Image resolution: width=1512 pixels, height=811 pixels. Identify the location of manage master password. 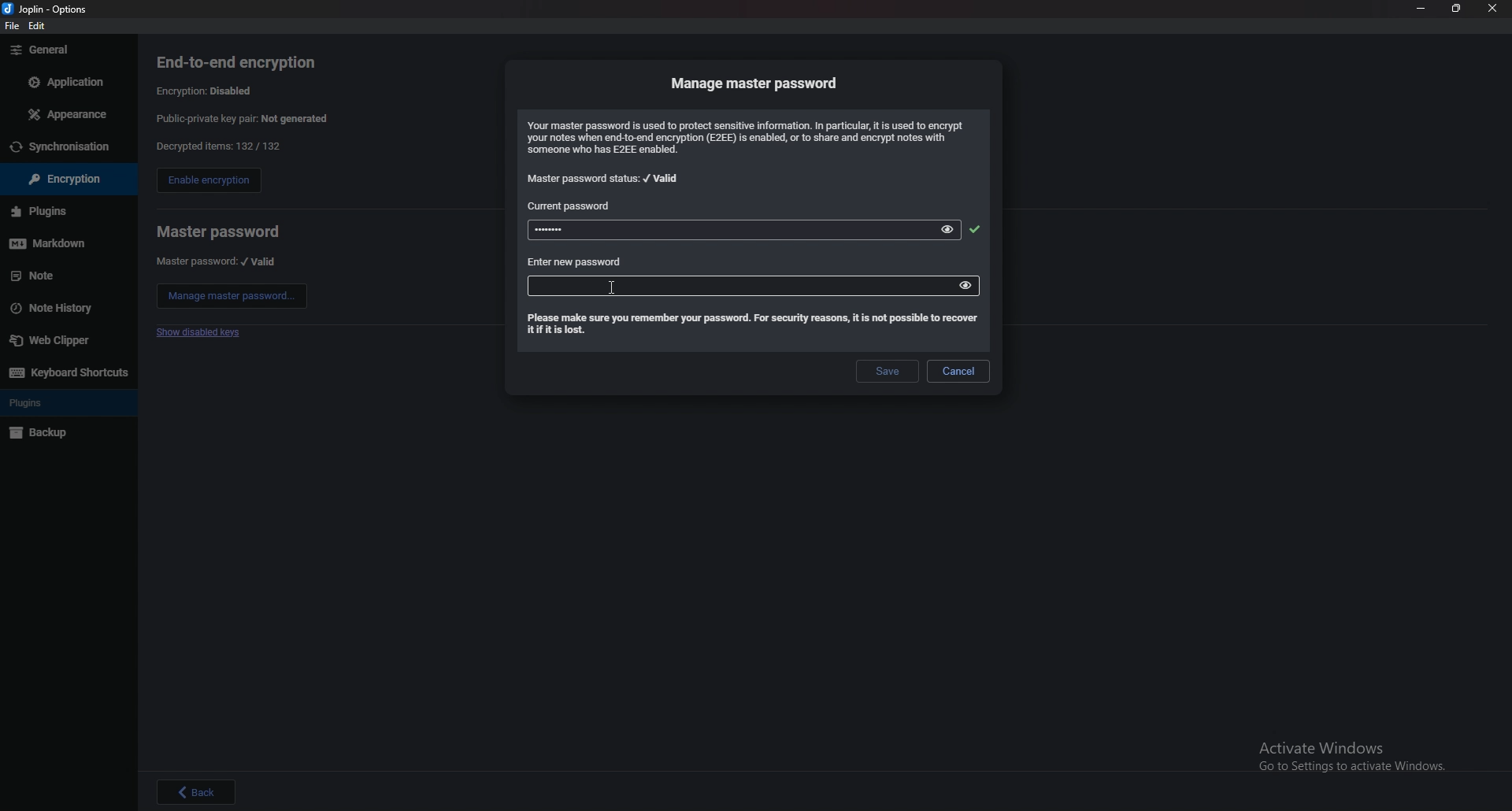
(757, 83).